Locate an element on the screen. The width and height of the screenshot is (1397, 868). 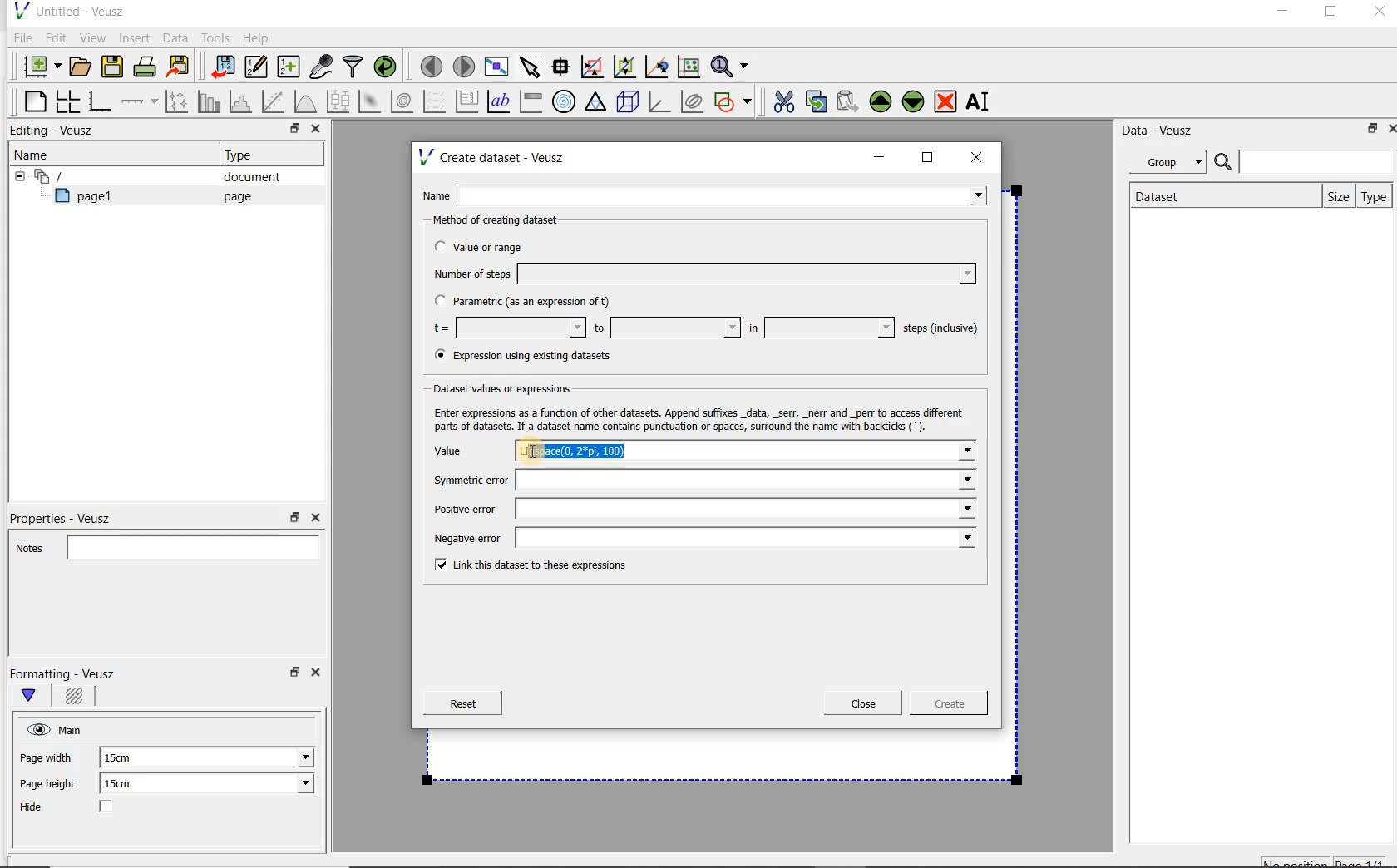
Group is located at coordinates (1172, 165).